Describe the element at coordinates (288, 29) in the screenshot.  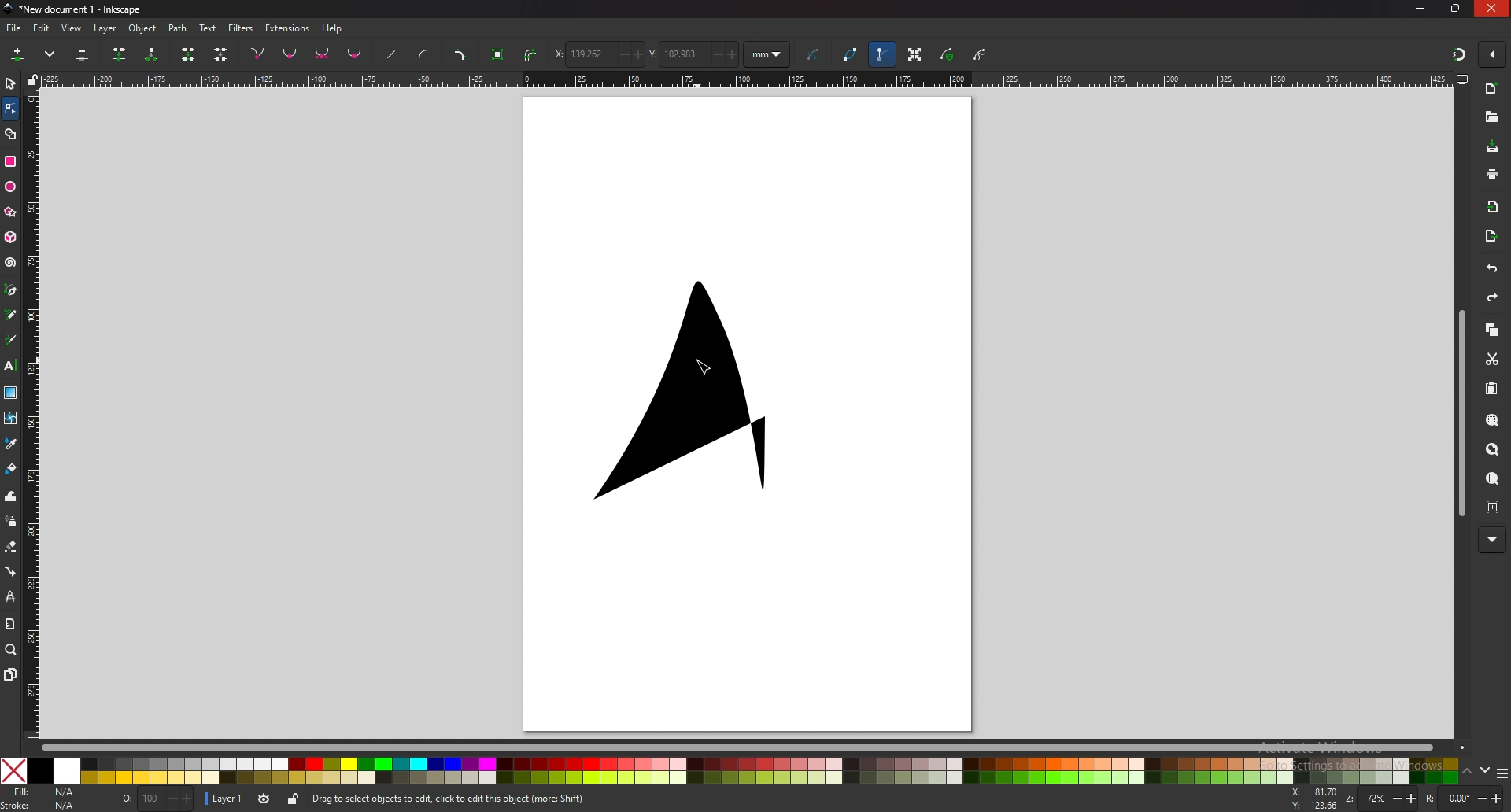
I see `extensions` at that location.